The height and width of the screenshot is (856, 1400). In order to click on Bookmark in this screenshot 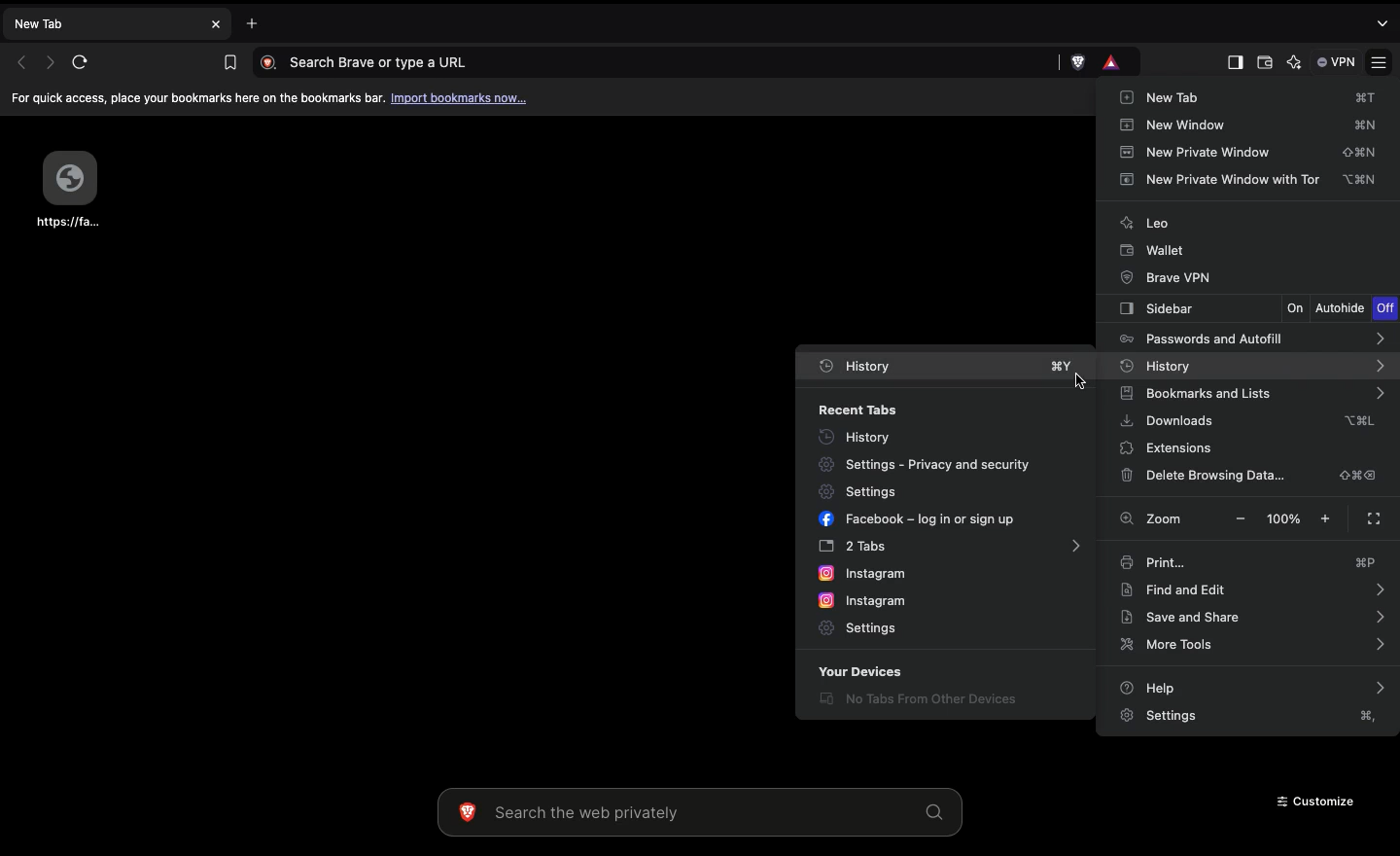, I will do `click(226, 60)`.